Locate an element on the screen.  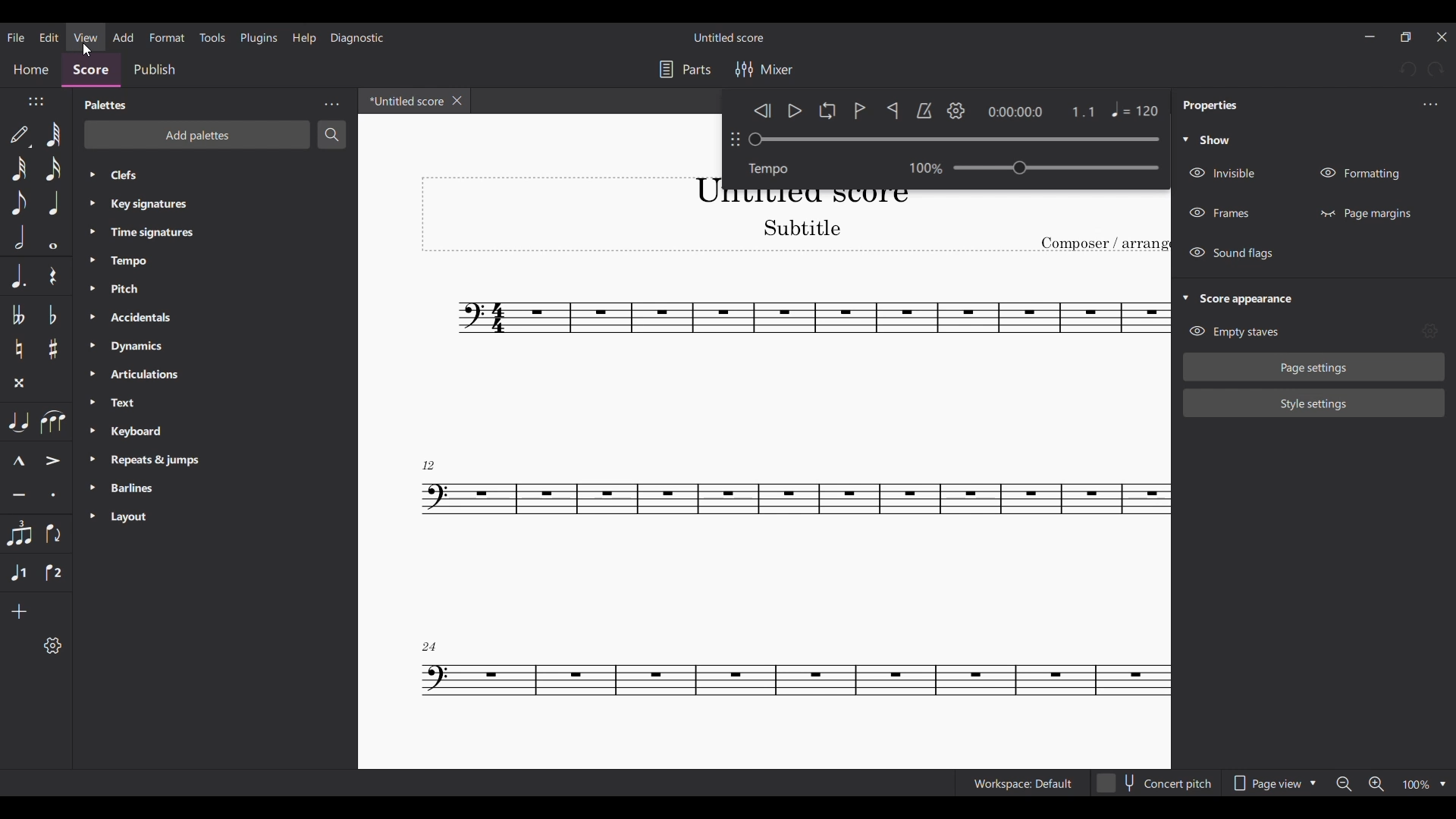
Plugins is located at coordinates (258, 38).